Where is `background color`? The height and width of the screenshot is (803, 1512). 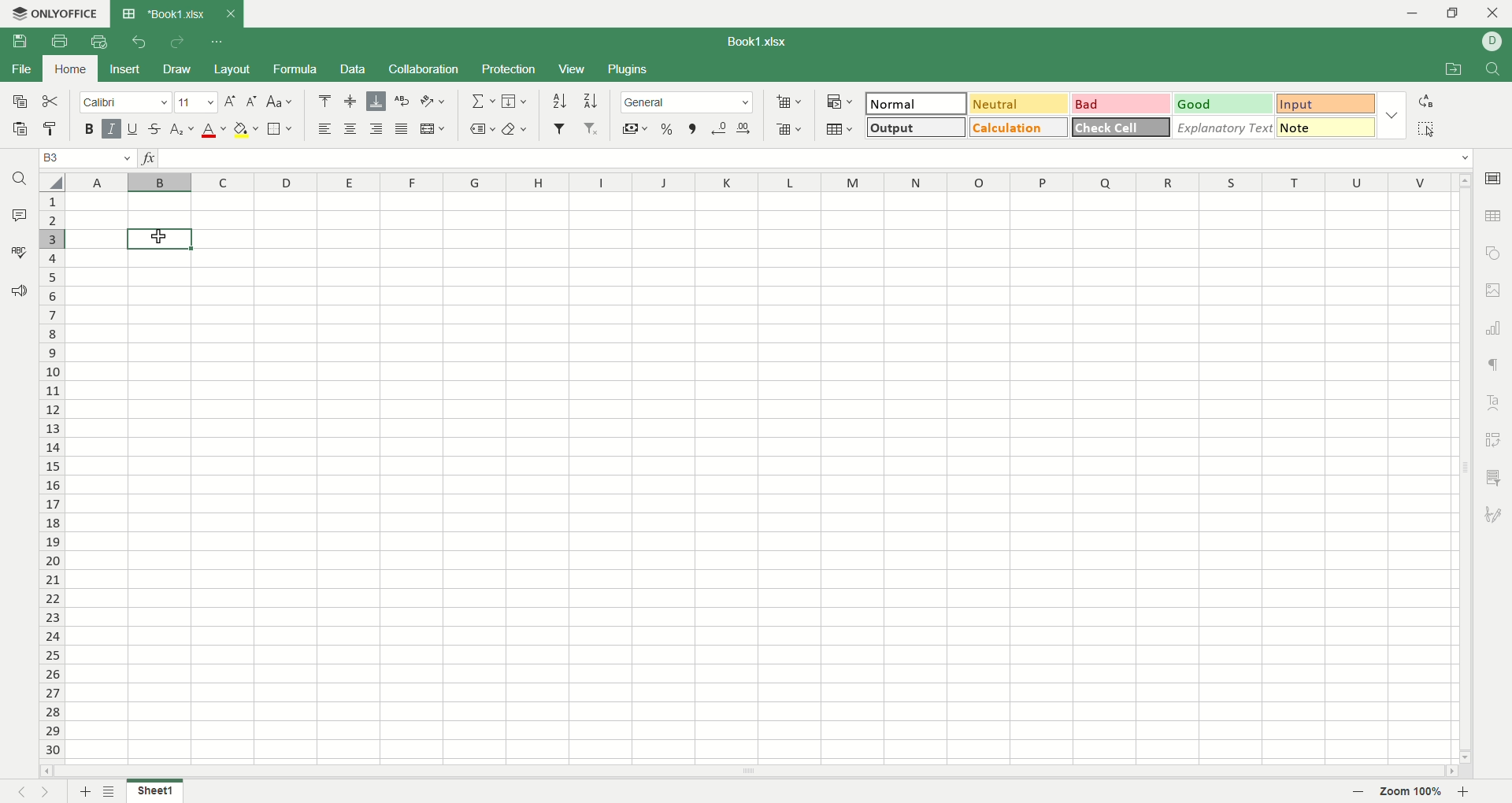 background color is located at coordinates (246, 129).